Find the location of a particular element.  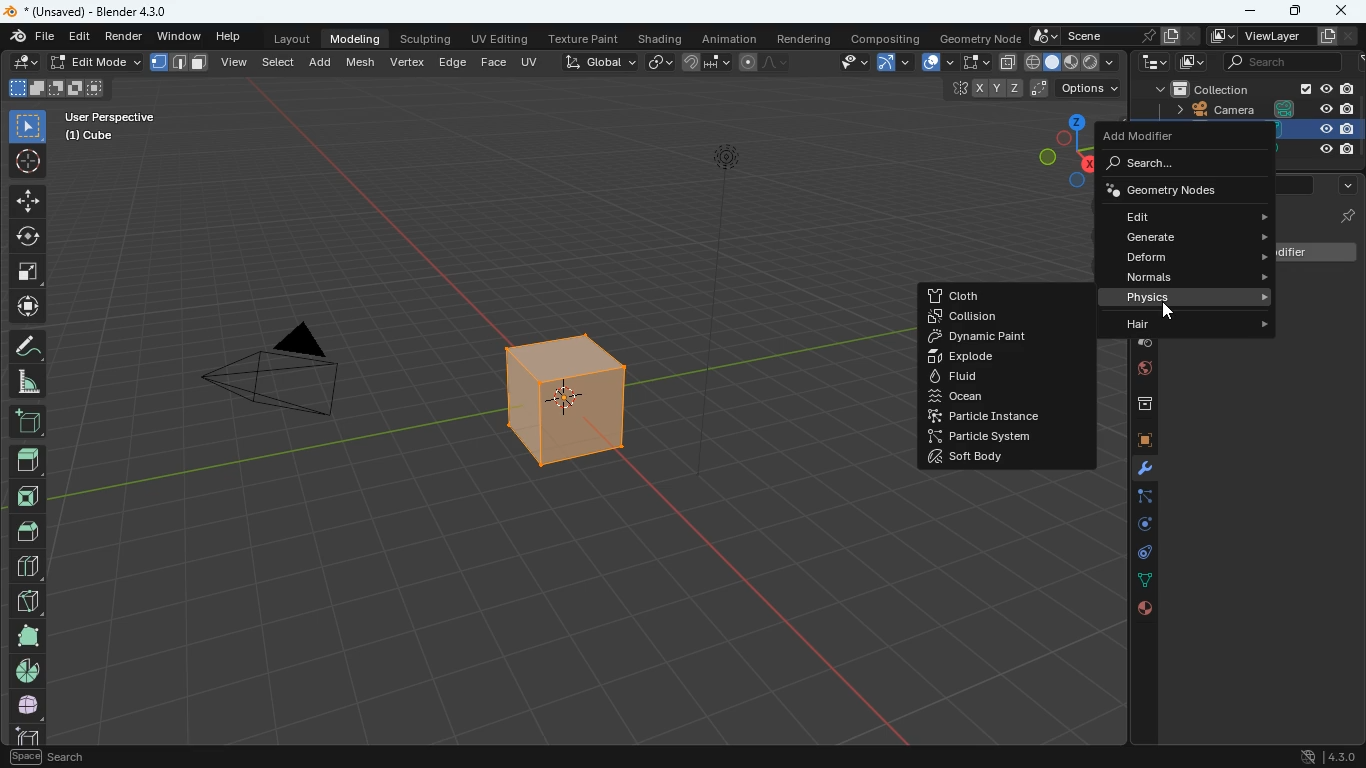

angle is located at coordinates (25, 381).